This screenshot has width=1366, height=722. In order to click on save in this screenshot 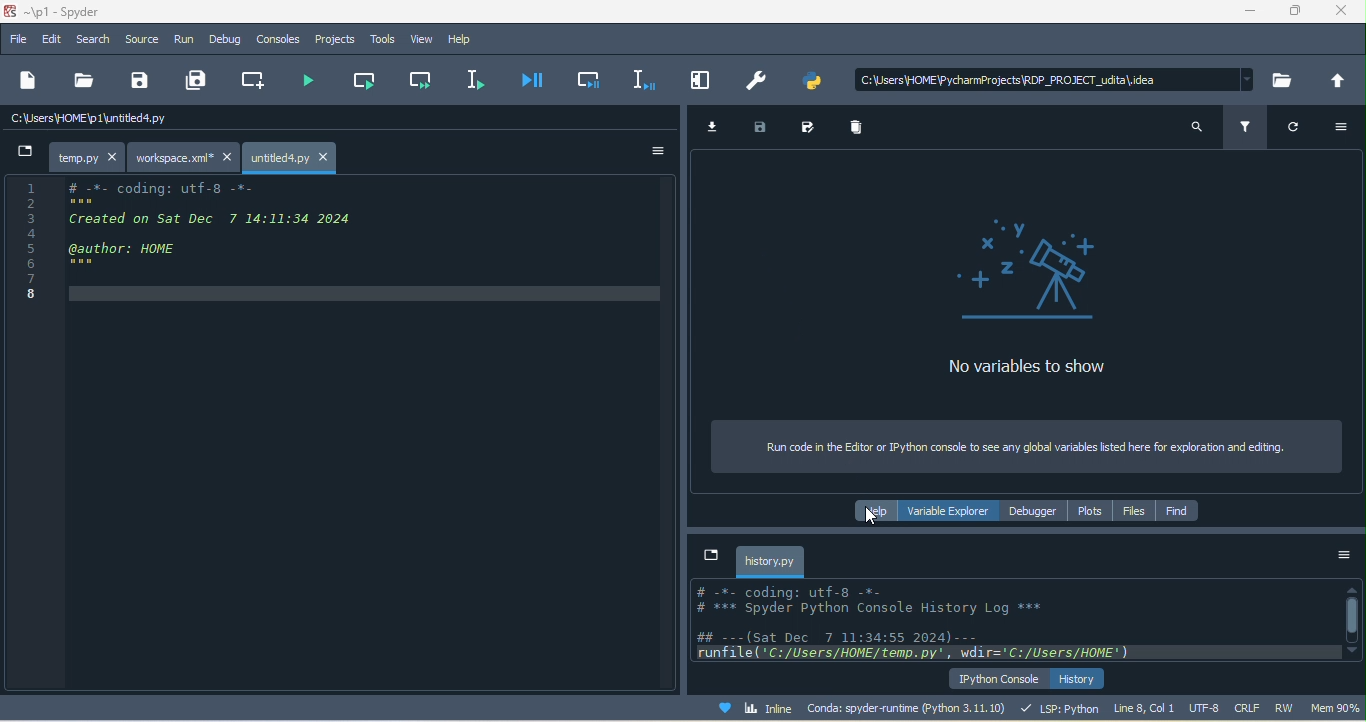, I will do `click(142, 80)`.